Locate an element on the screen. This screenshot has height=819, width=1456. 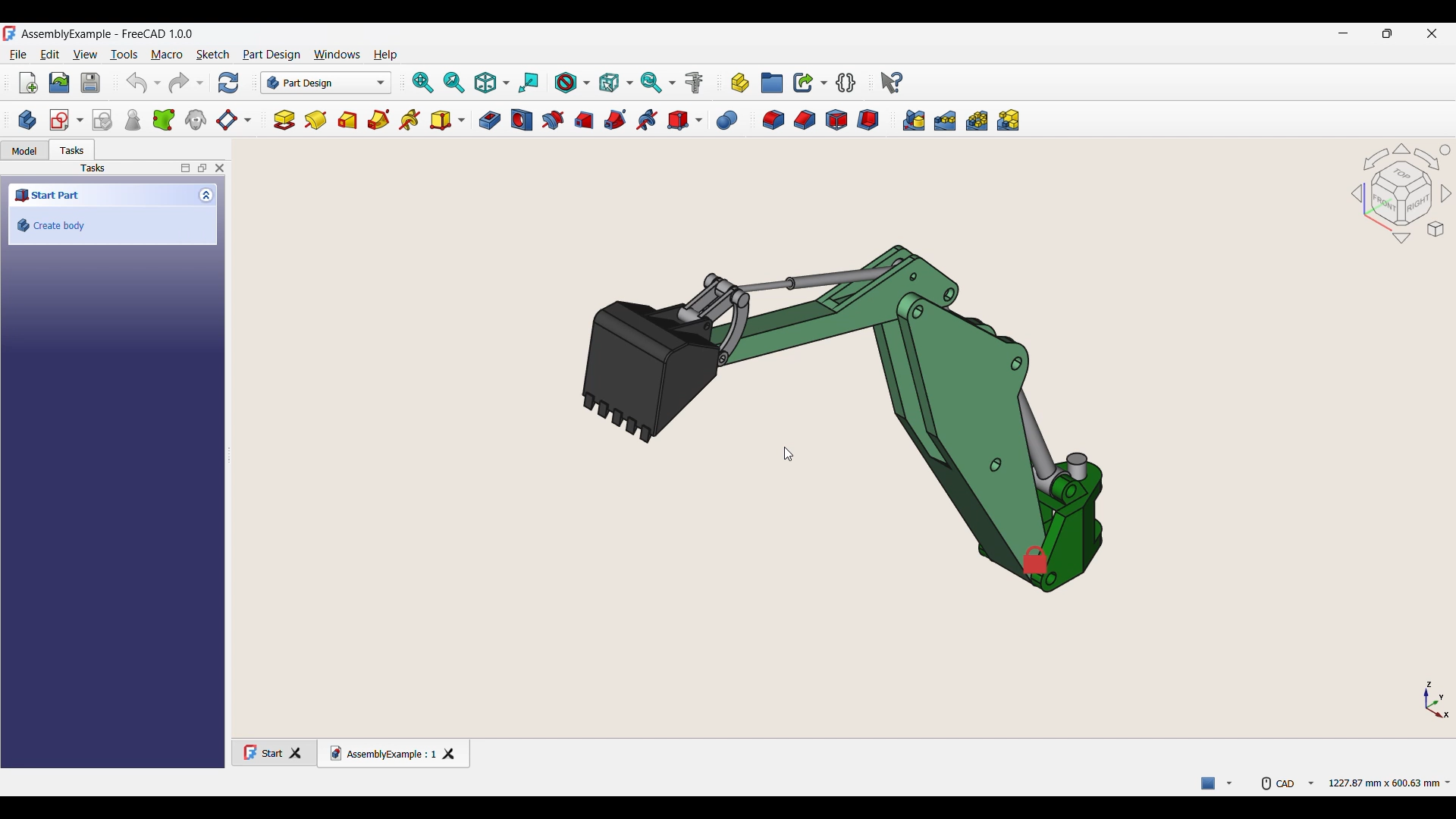
Interface reset to default is located at coordinates (1282, 422).